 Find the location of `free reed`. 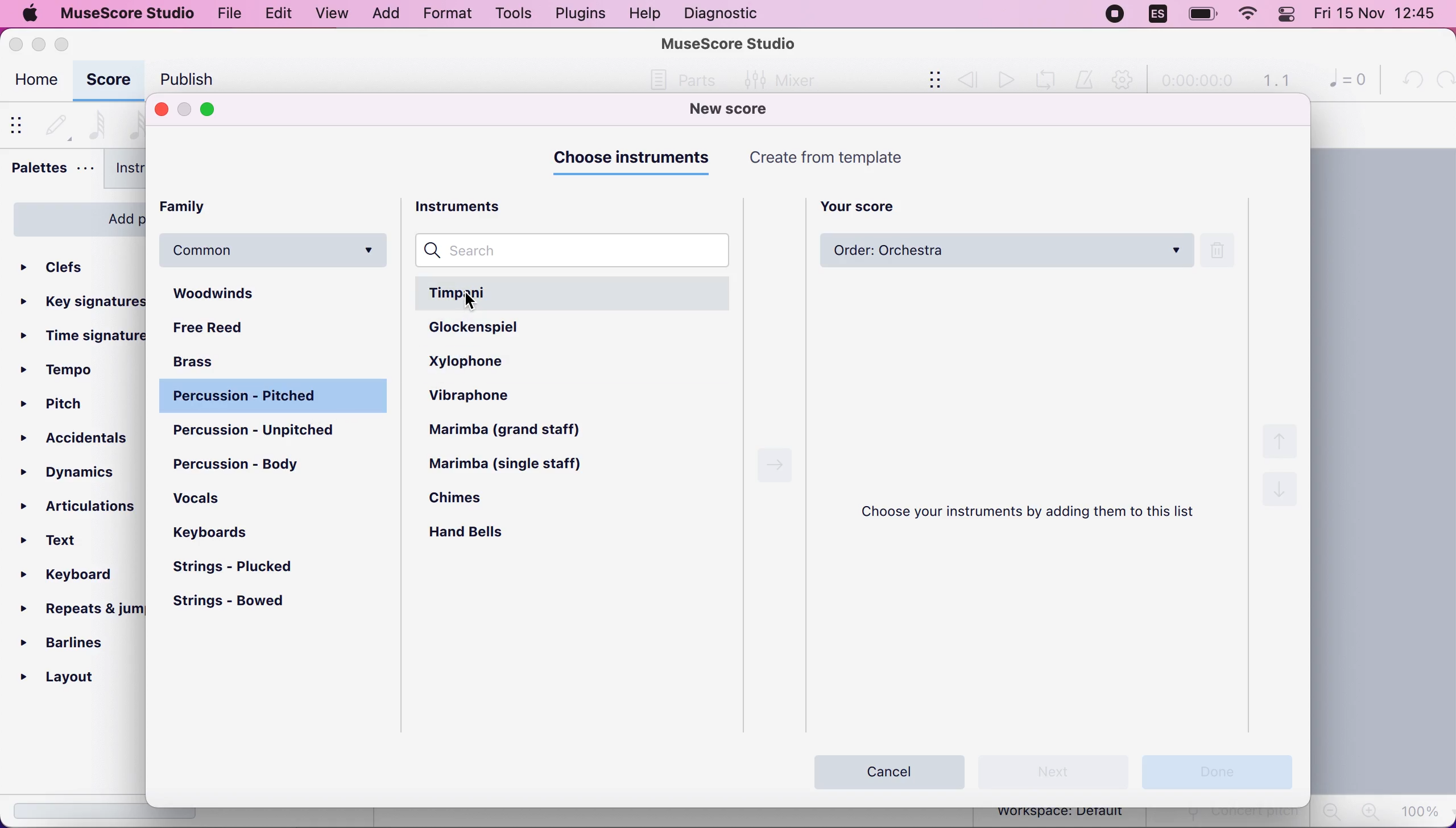

free reed is located at coordinates (237, 329).